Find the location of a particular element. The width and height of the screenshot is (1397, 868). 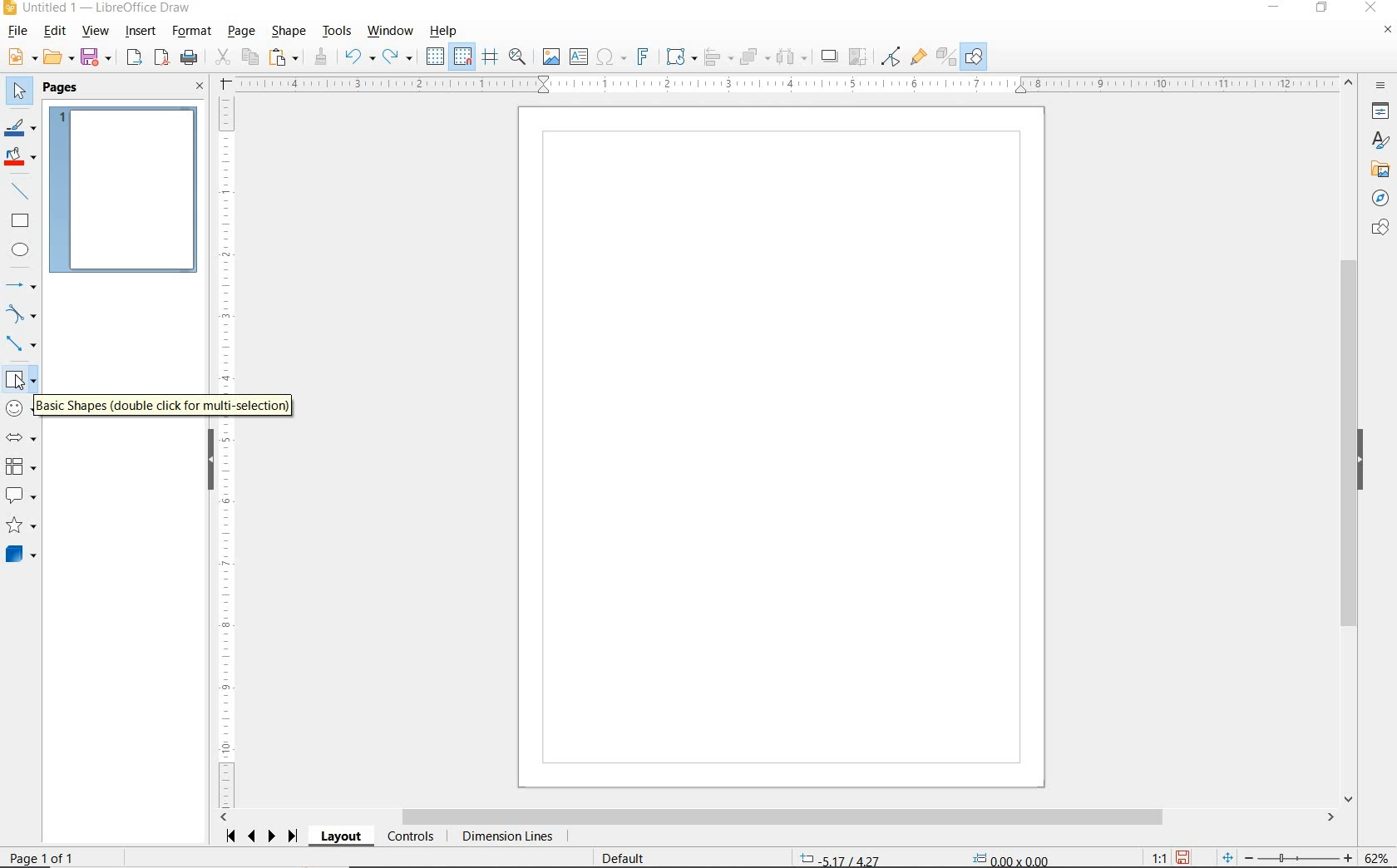

TOGGLE POINT EDIT MODE is located at coordinates (892, 58).